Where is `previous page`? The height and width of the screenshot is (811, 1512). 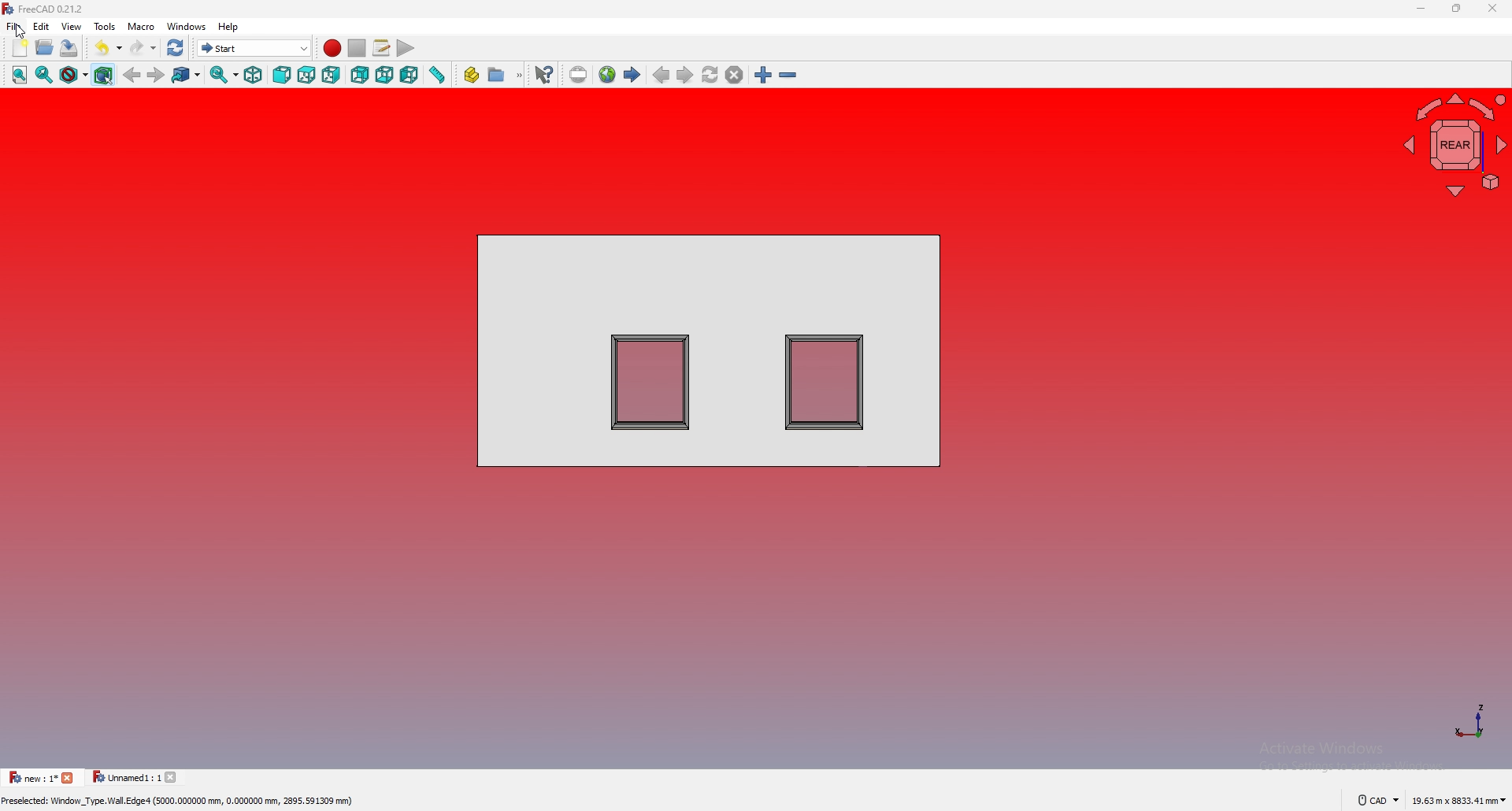
previous page is located at coordinates (661, 75).